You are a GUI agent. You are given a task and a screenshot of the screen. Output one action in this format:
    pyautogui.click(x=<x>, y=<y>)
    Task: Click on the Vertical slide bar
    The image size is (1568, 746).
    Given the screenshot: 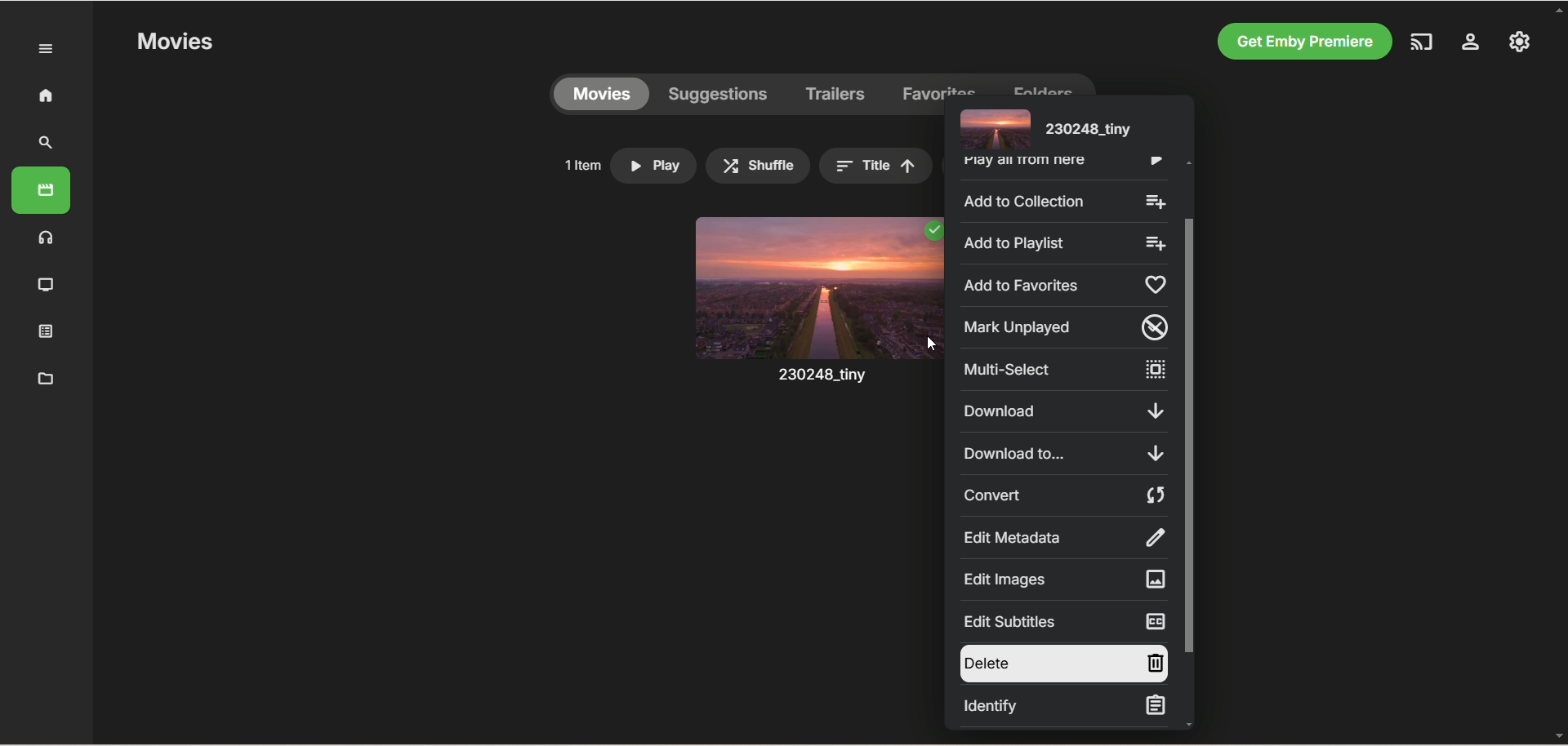 What is the action you would take?
    pyautogui.click(x=1189, y=443)
    